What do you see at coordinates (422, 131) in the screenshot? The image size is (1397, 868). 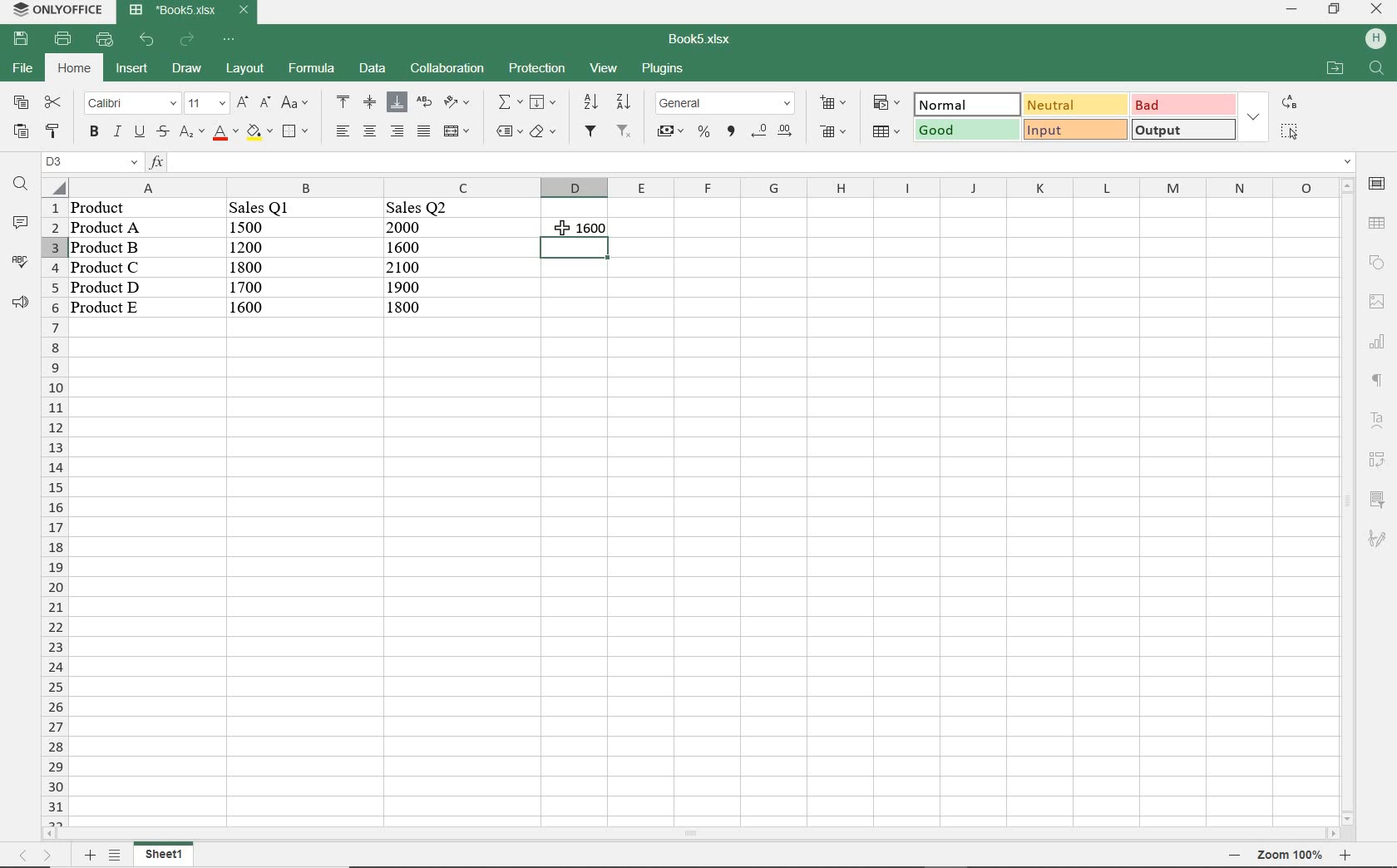 I see `justified` at bounding box center [422, 131].